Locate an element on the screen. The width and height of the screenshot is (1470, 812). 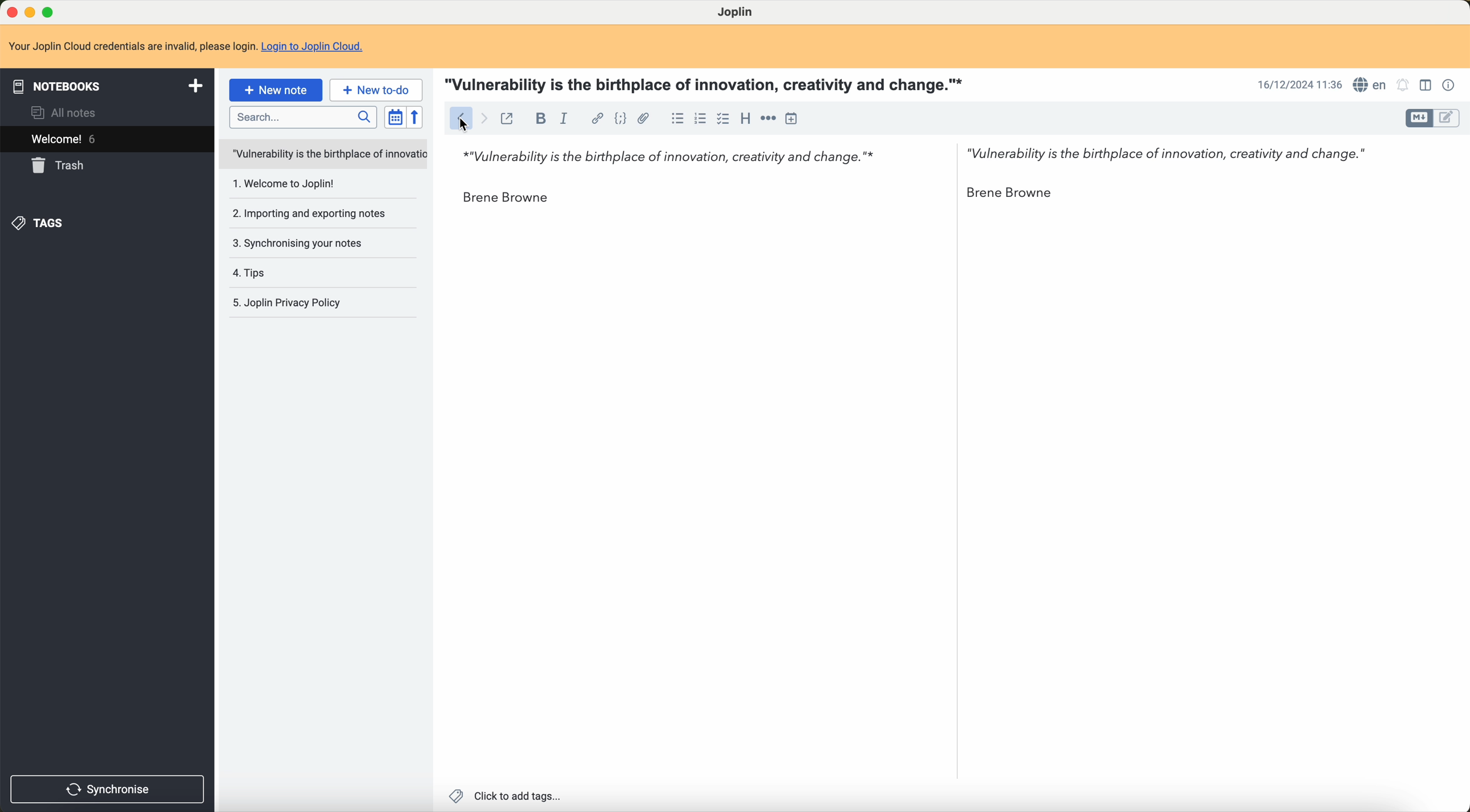
Joplin privacy policy is located at coordinates (310, 304).